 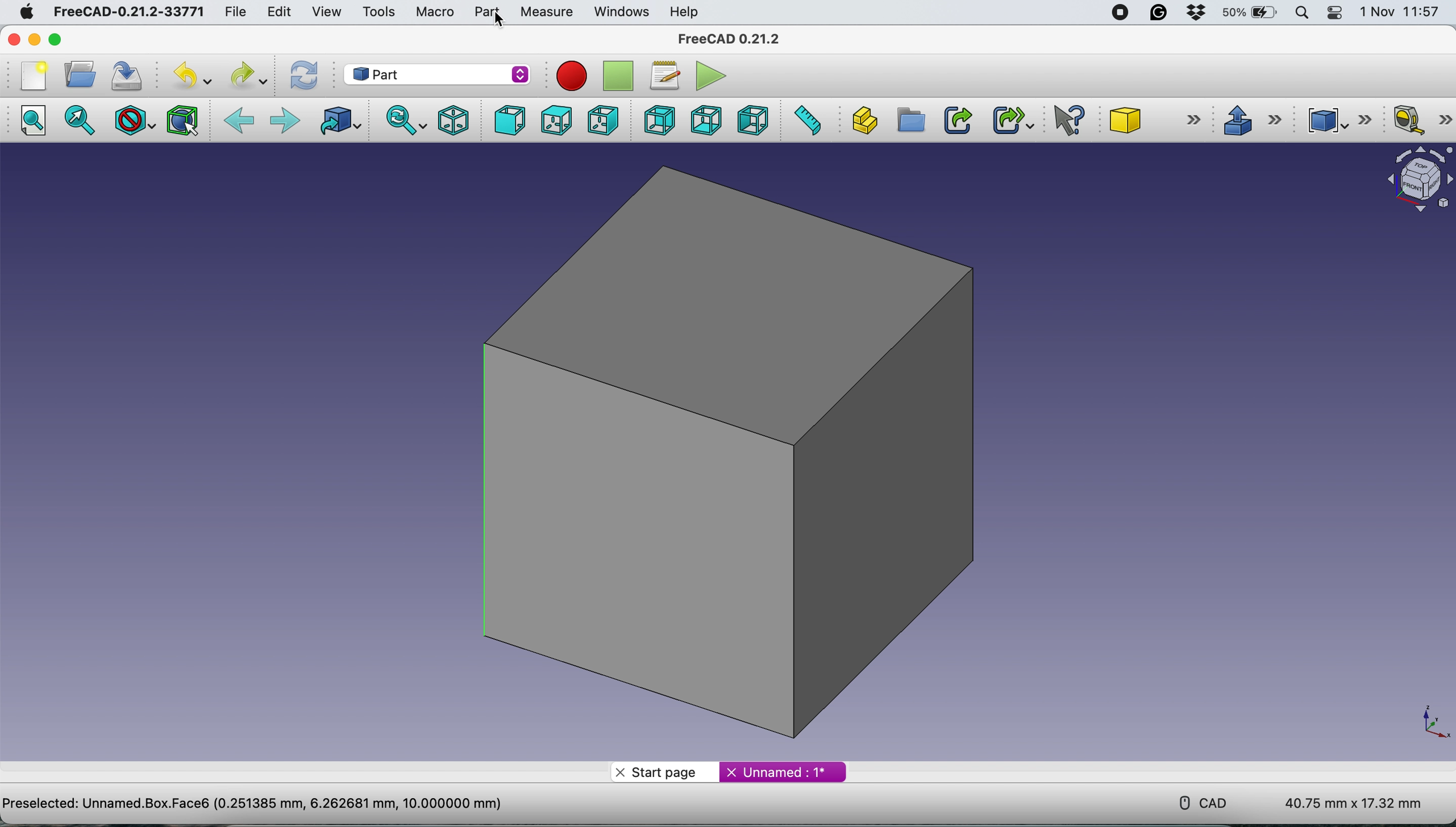 What do you see at coordinates (687, 12) in the screenshot?
I see `help` at bounding box center [687, 12].